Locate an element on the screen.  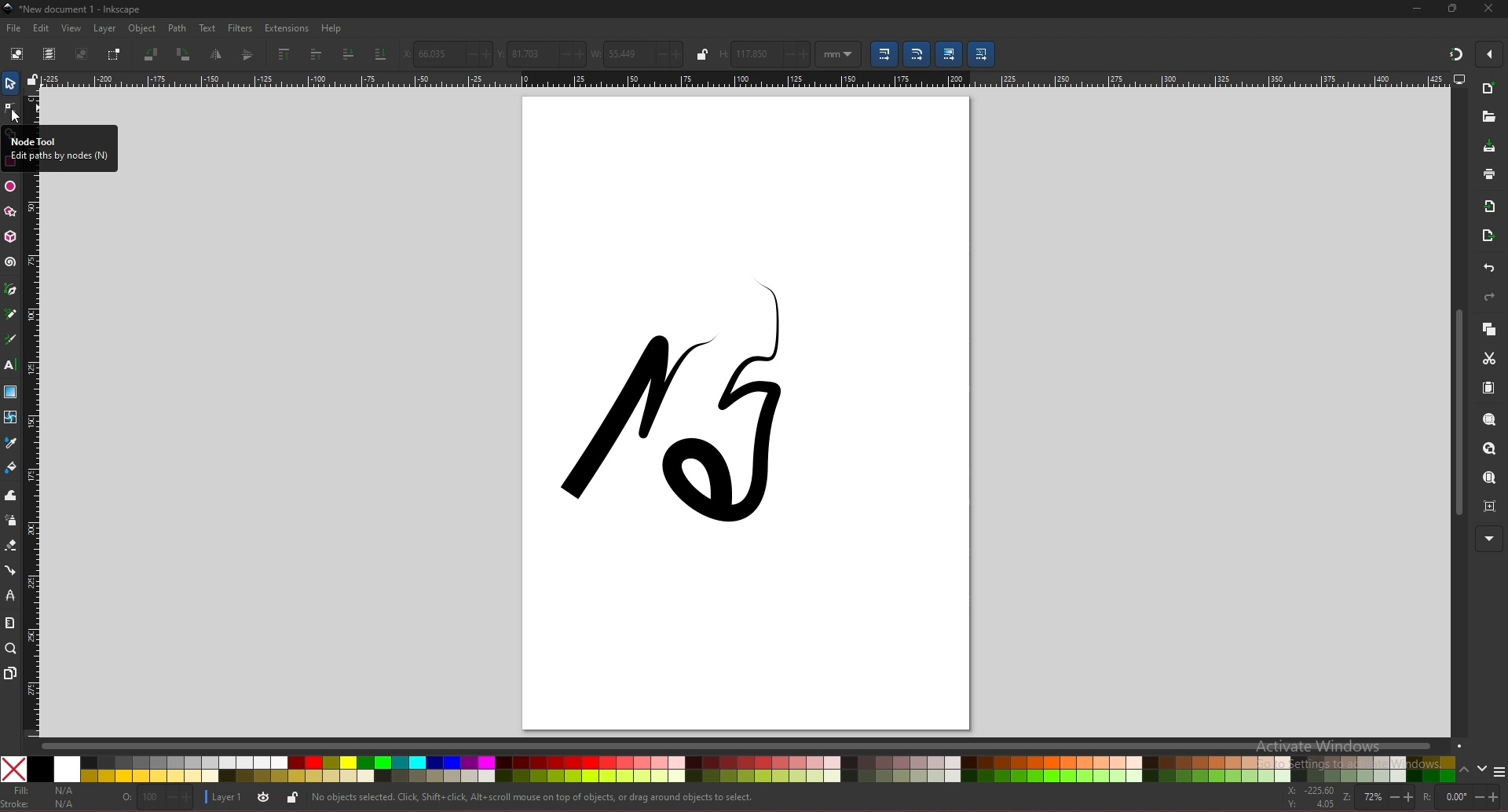
raise selection to top is located at coordinates (286, 53).